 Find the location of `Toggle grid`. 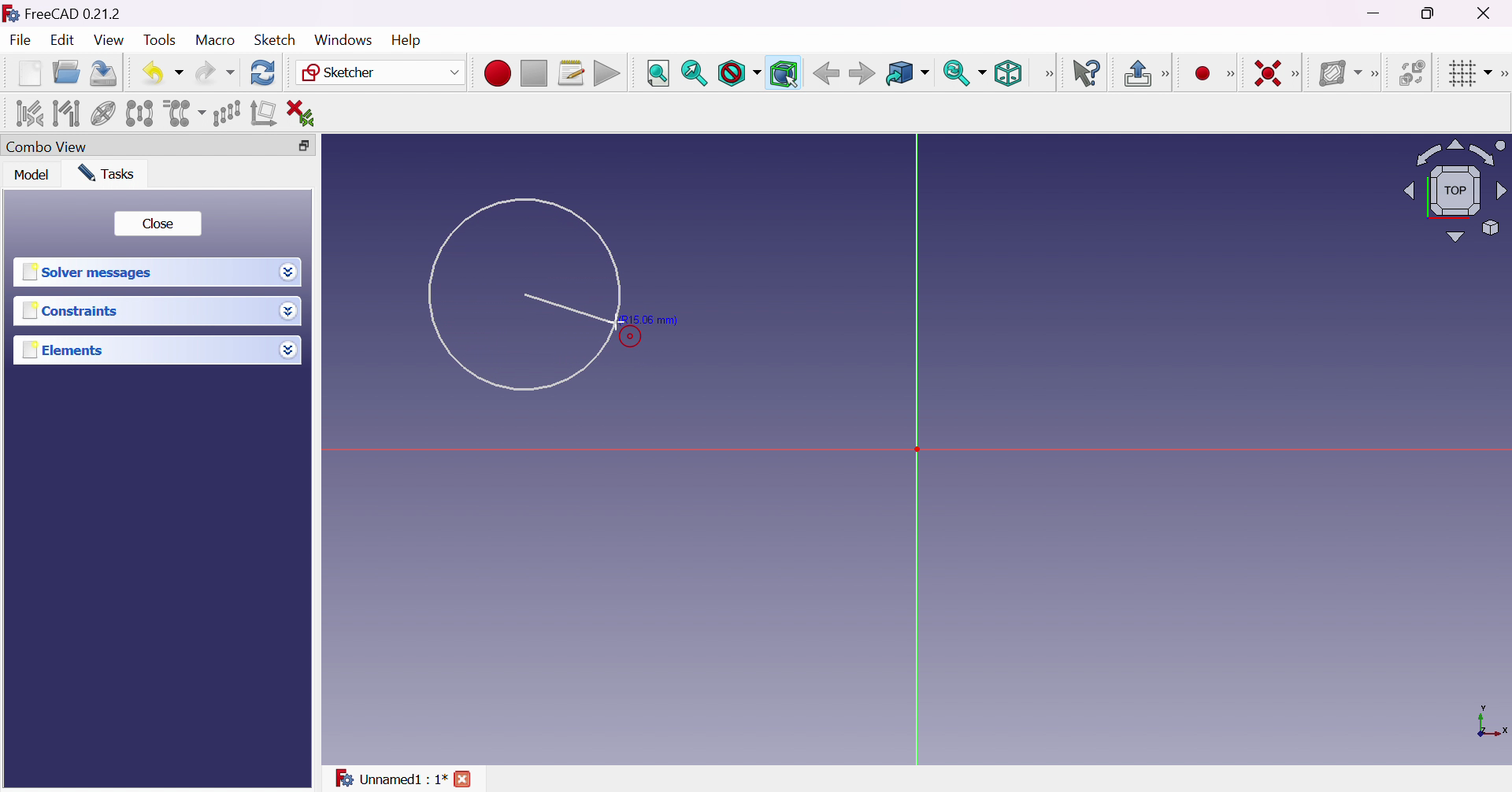

Toggle grid is located at coordinates (1468, 72).